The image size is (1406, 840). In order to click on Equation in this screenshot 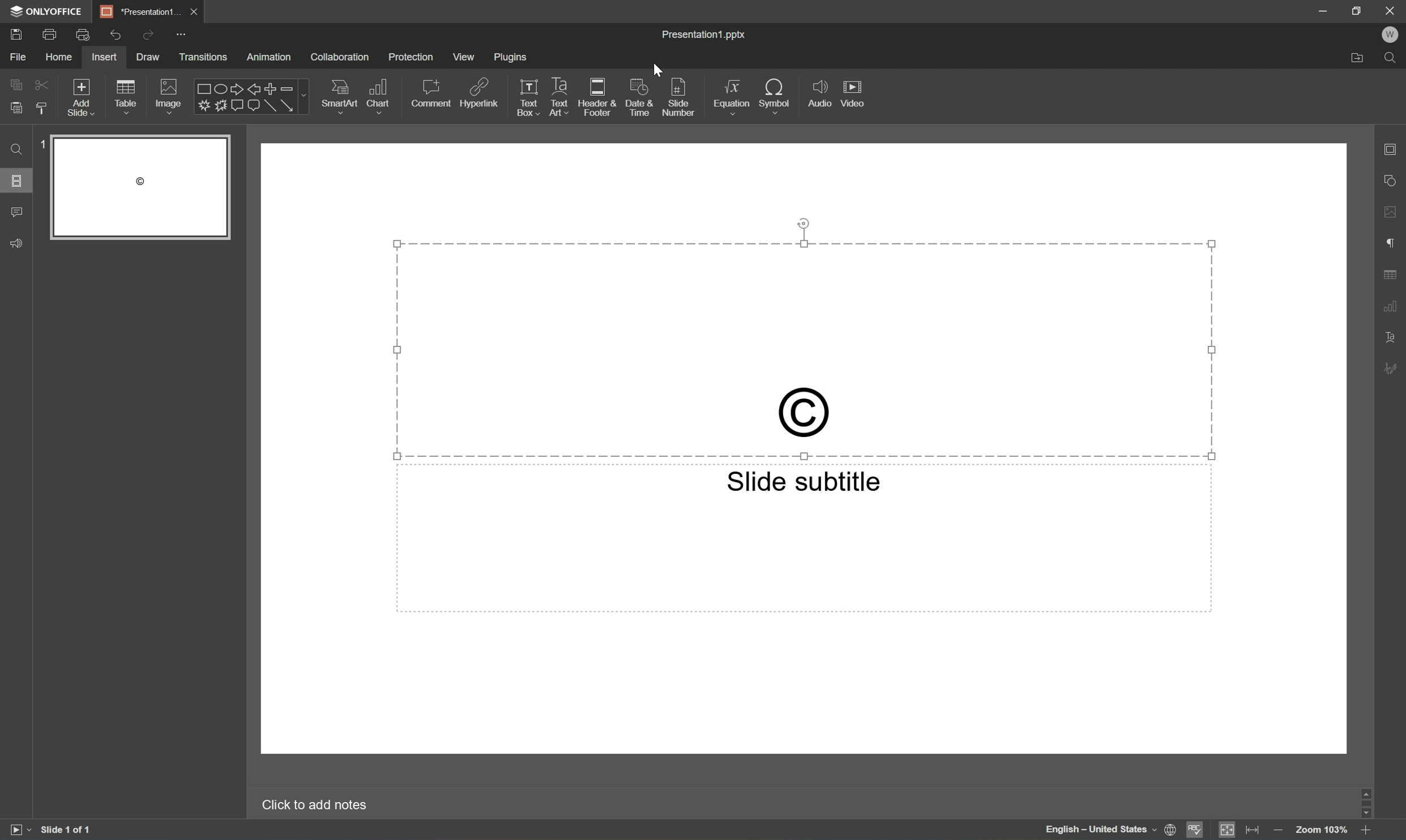, I will do `click(730, 98)`.